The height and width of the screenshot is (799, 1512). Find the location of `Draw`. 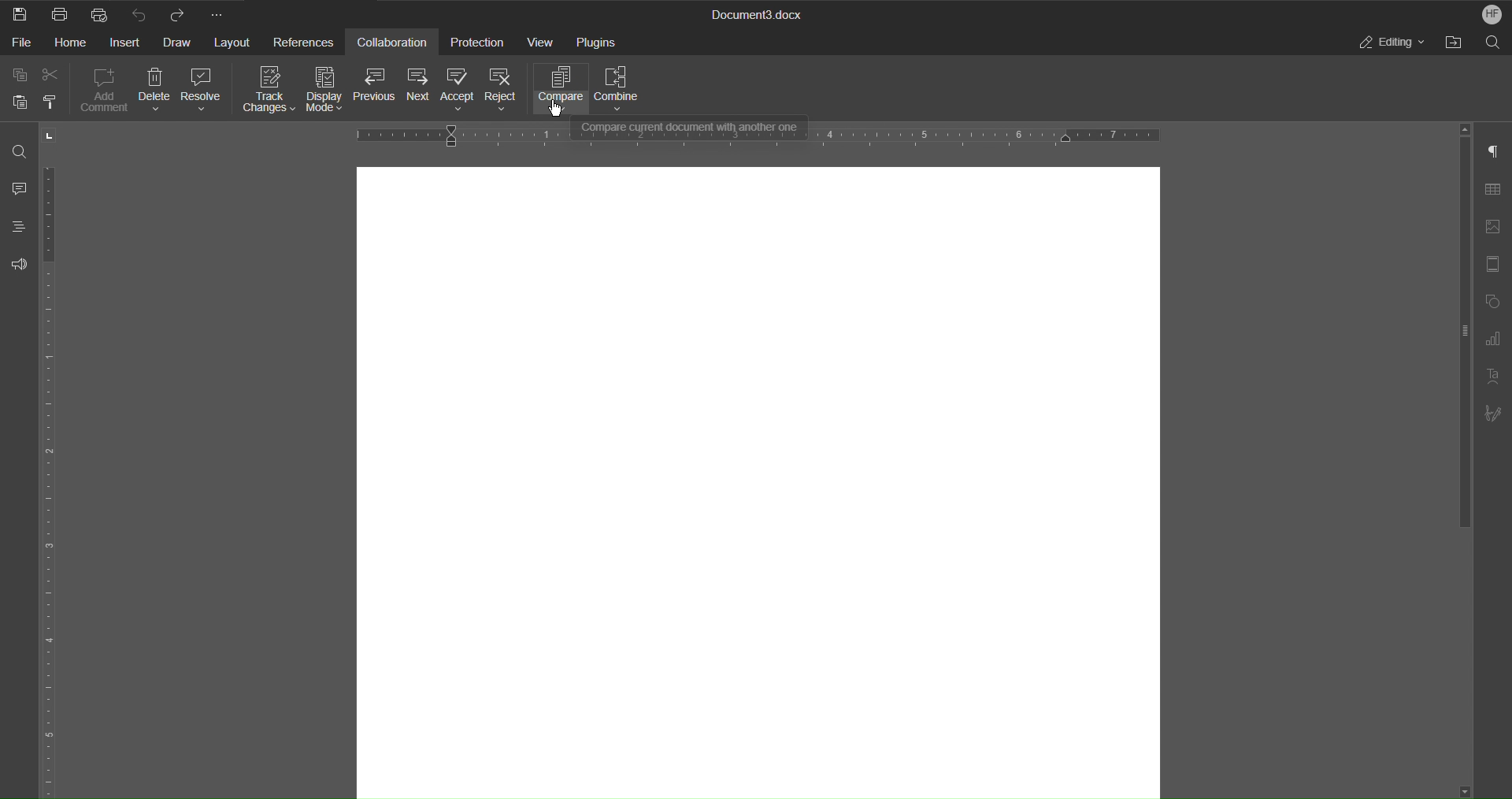

Draw is located at coordinates (178, 46).